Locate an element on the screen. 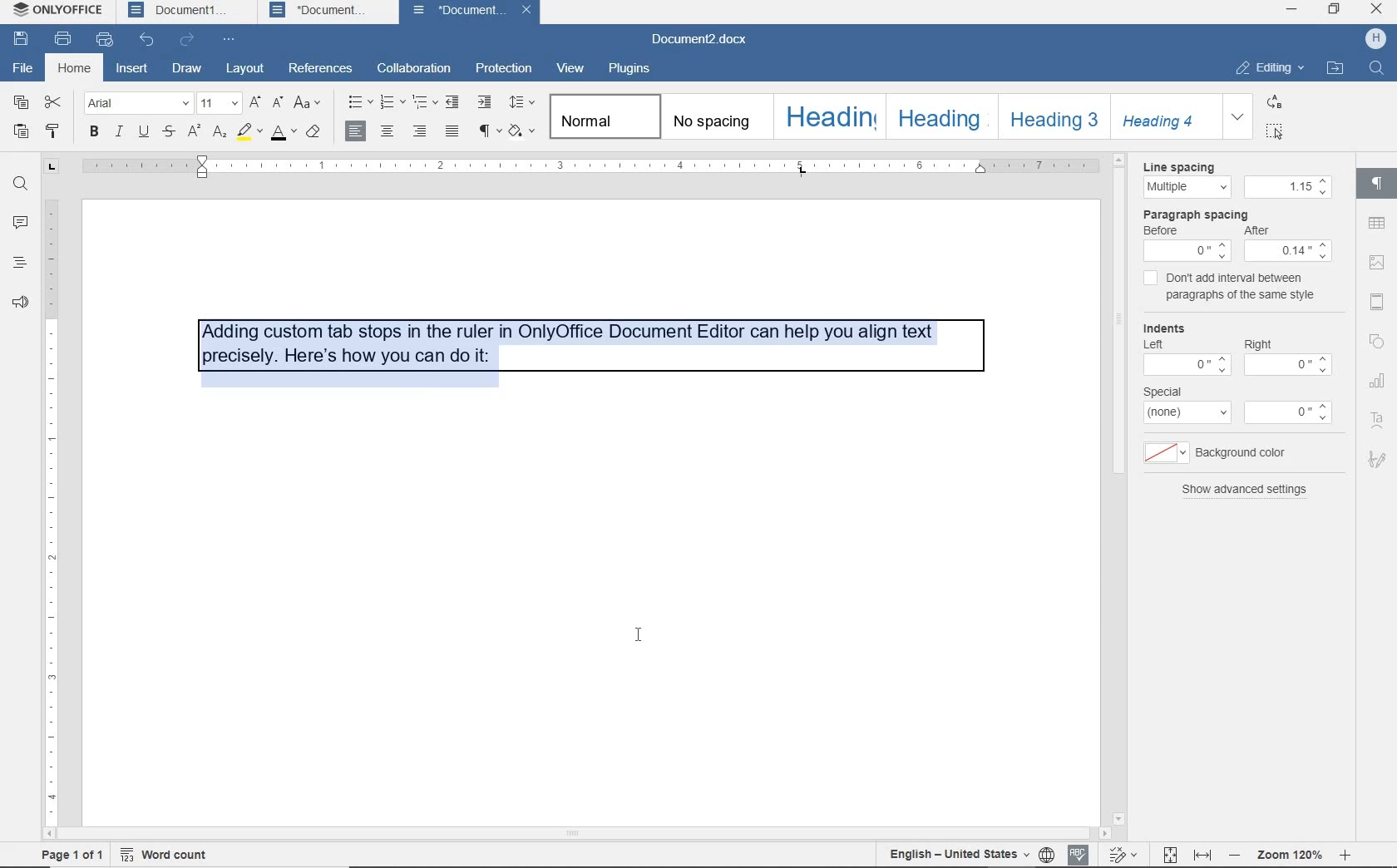 Image resolution: width=1397 pixels, height=868 pixels. comments is located at coordinates (18, 223).